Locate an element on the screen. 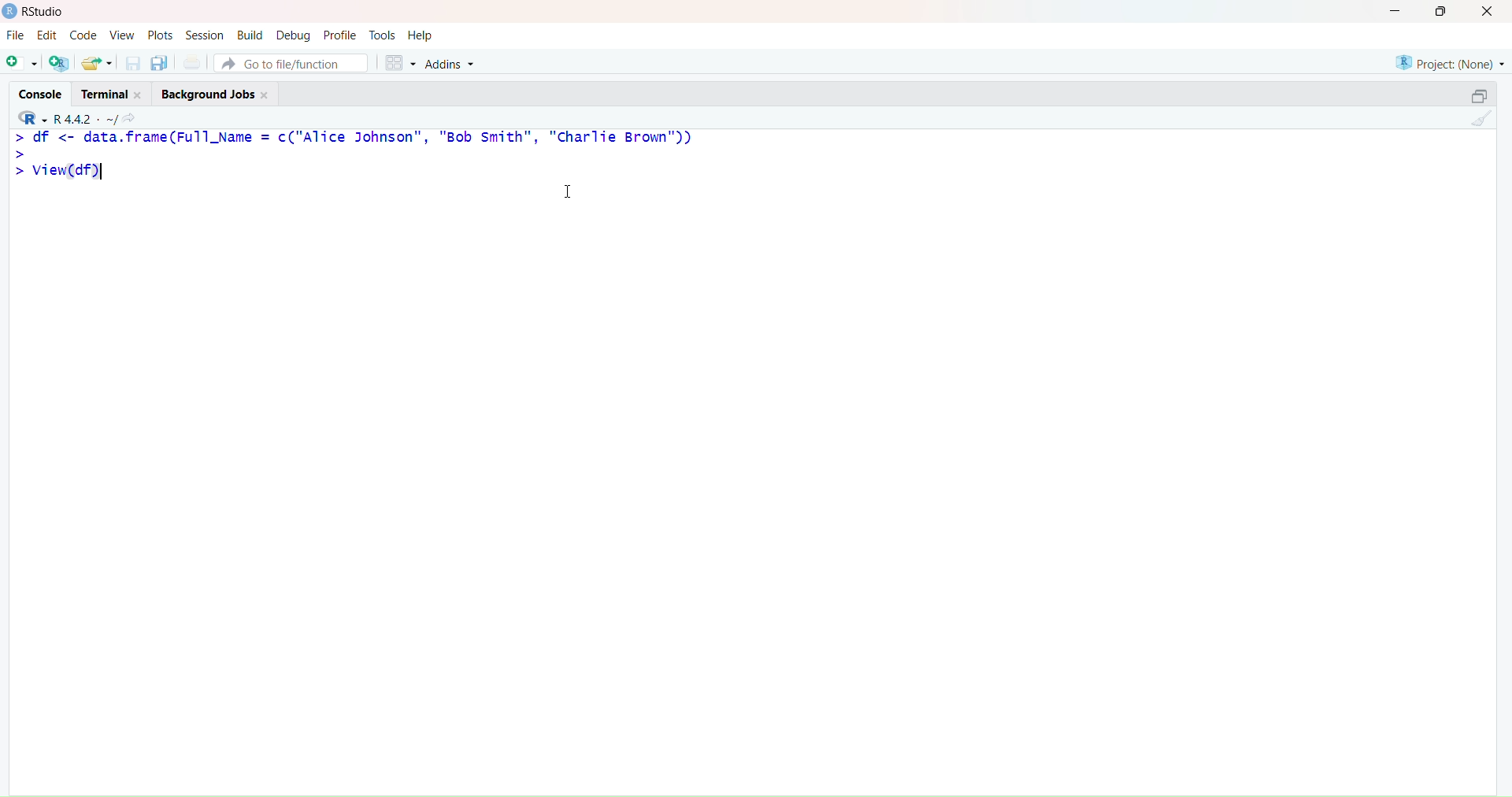 This screenshot has height=797, width=1512. File is located at coordinates (17, 36).